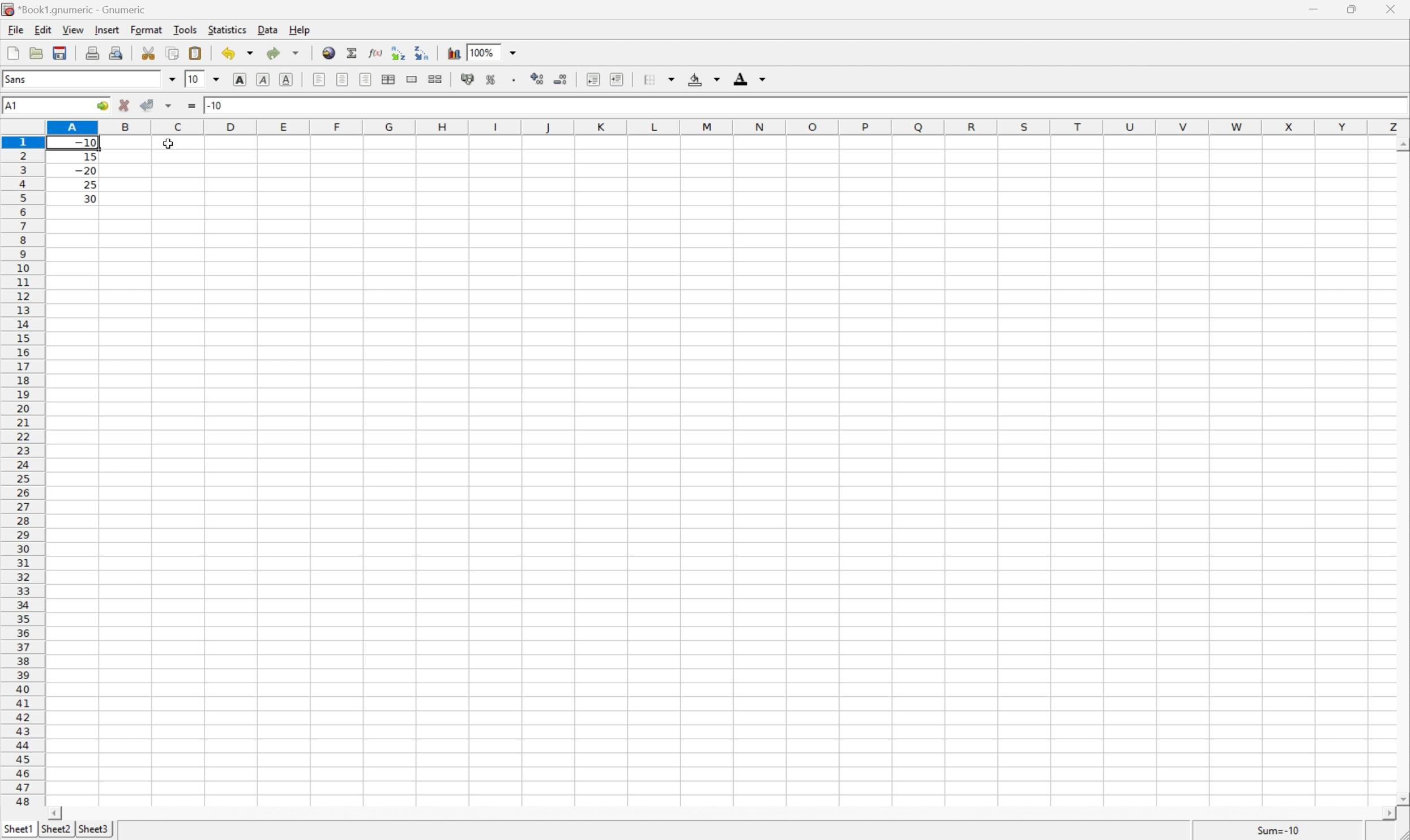 This screenshot has width=1410, height=840. I want to click on Tools, so click(186, 29).